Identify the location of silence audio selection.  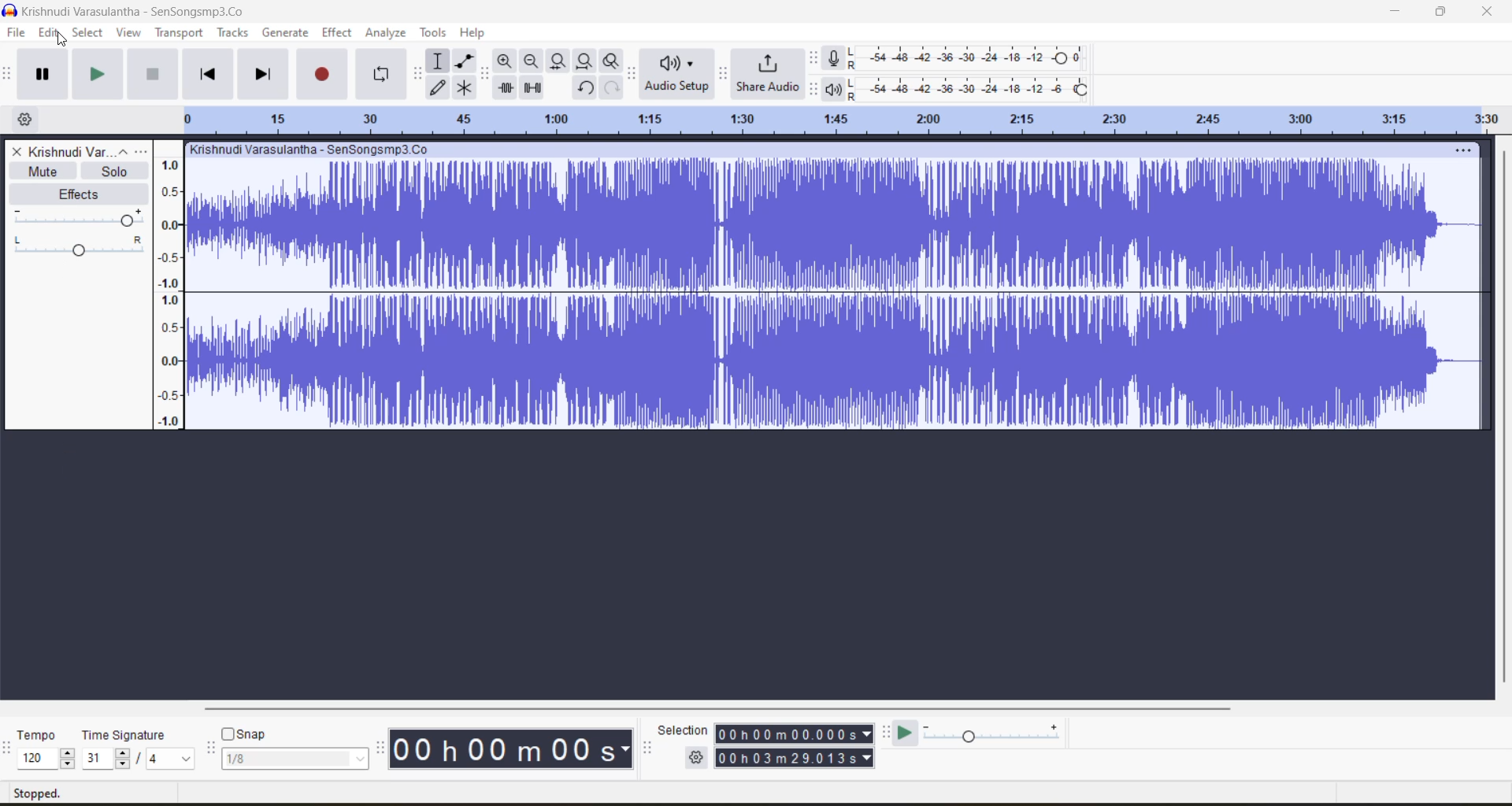
(535, 88).